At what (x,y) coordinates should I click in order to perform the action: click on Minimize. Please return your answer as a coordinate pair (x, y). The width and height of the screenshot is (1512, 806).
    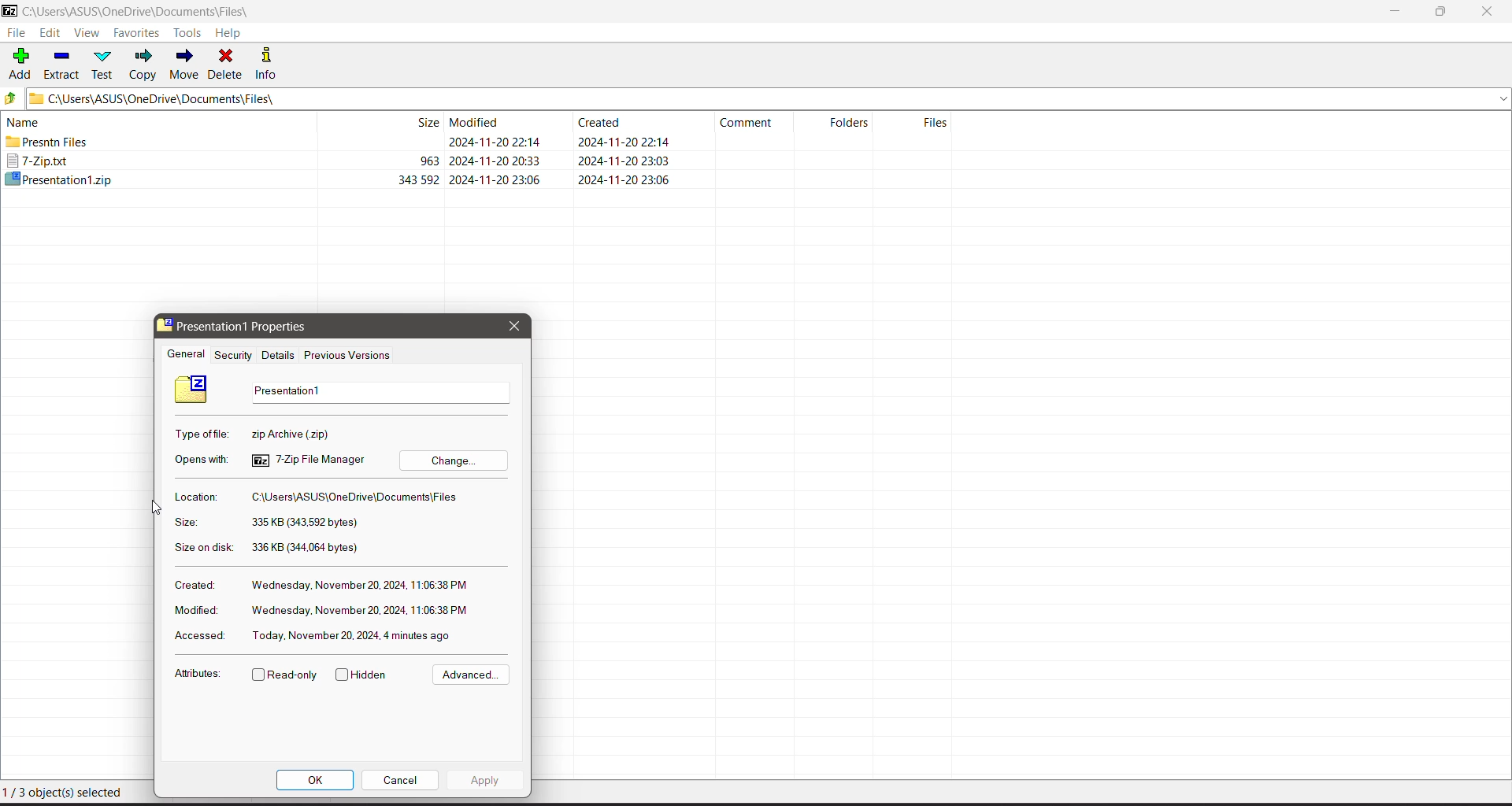
    Looking at the image, I should click on (1395, 12).